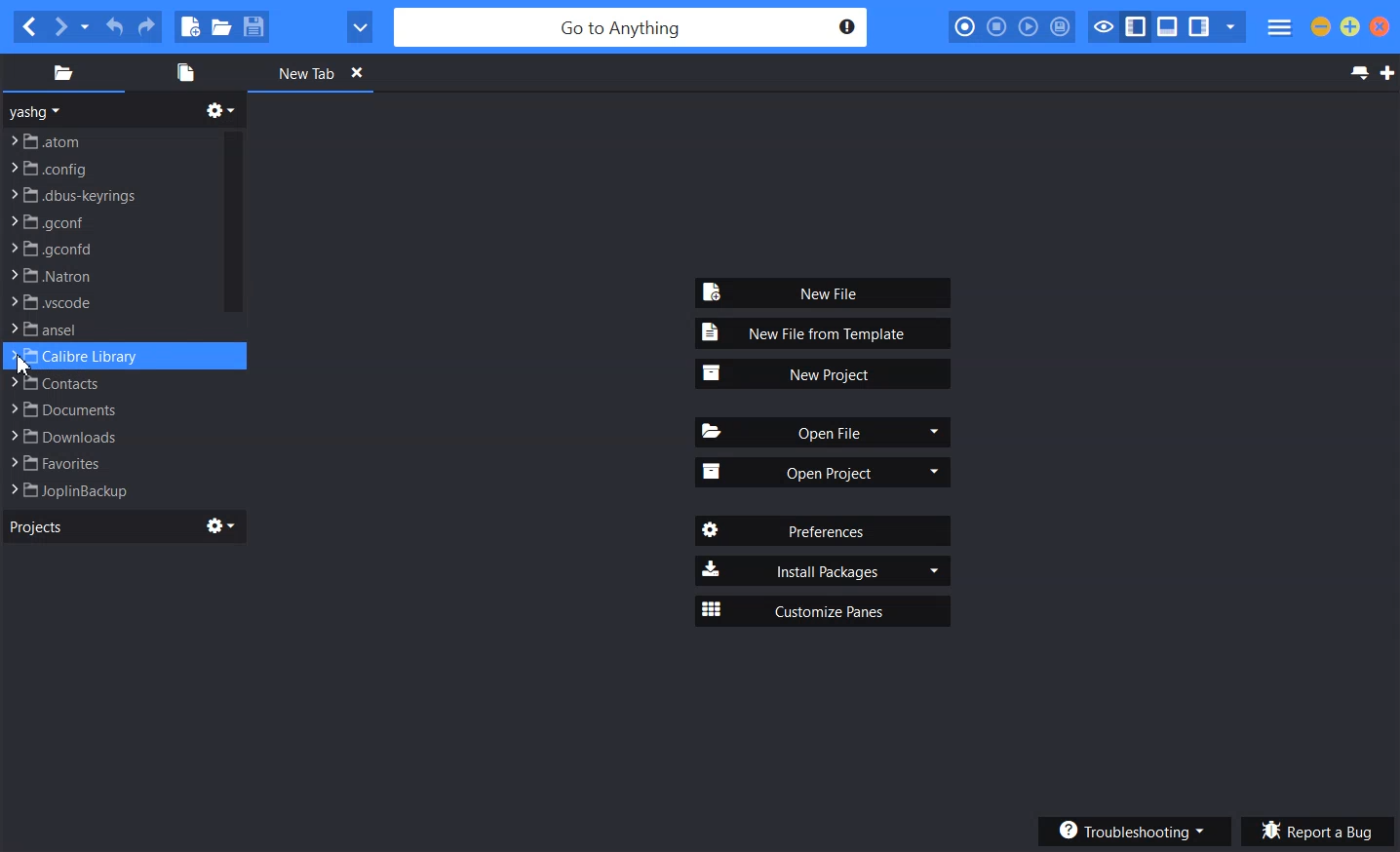 Image resolution: width=1400 pixels, height=852 pixels. I want to click on Open File, so click(825, 432).